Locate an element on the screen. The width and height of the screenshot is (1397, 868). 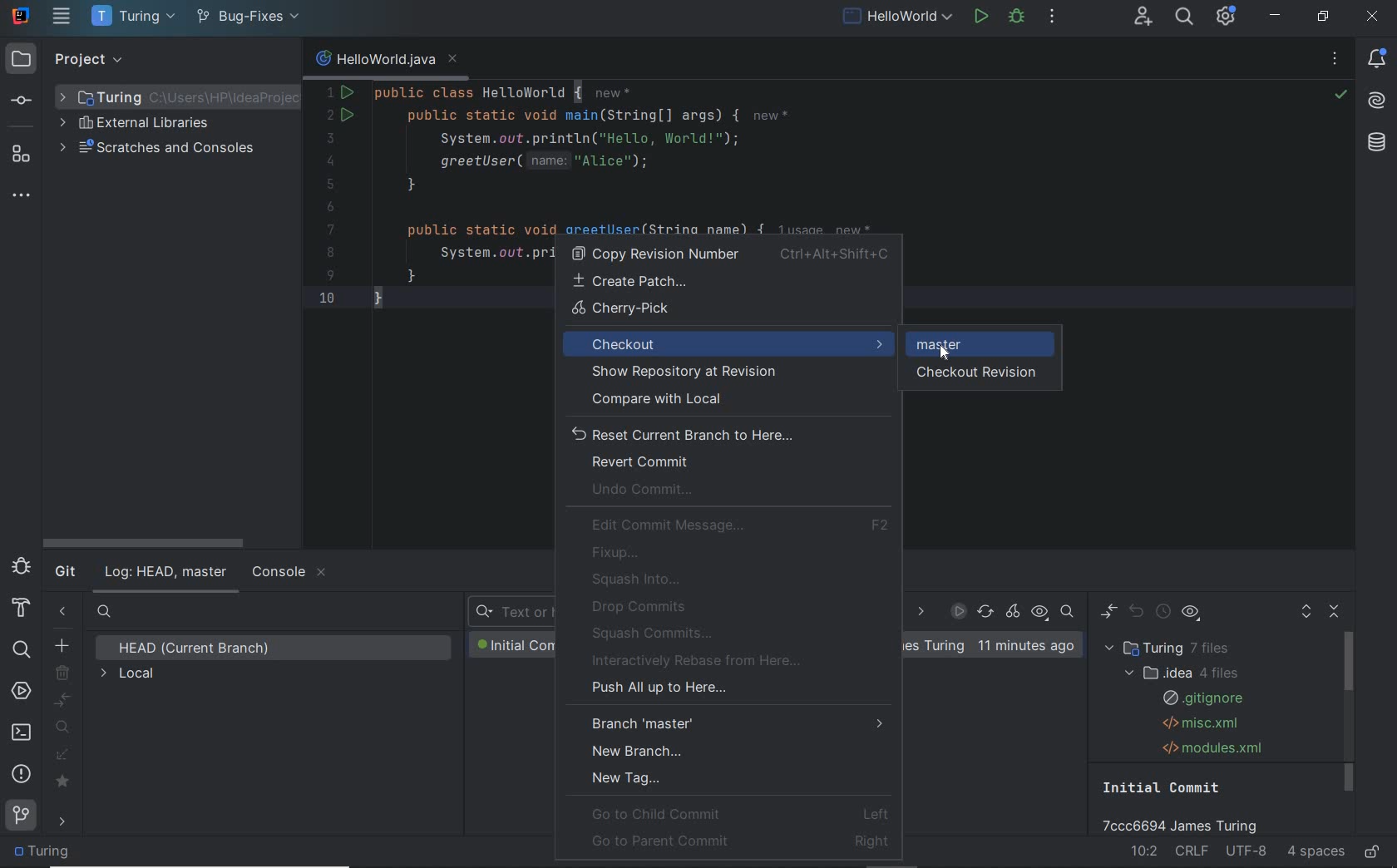
HEAD is located at coordinates (199, 649).